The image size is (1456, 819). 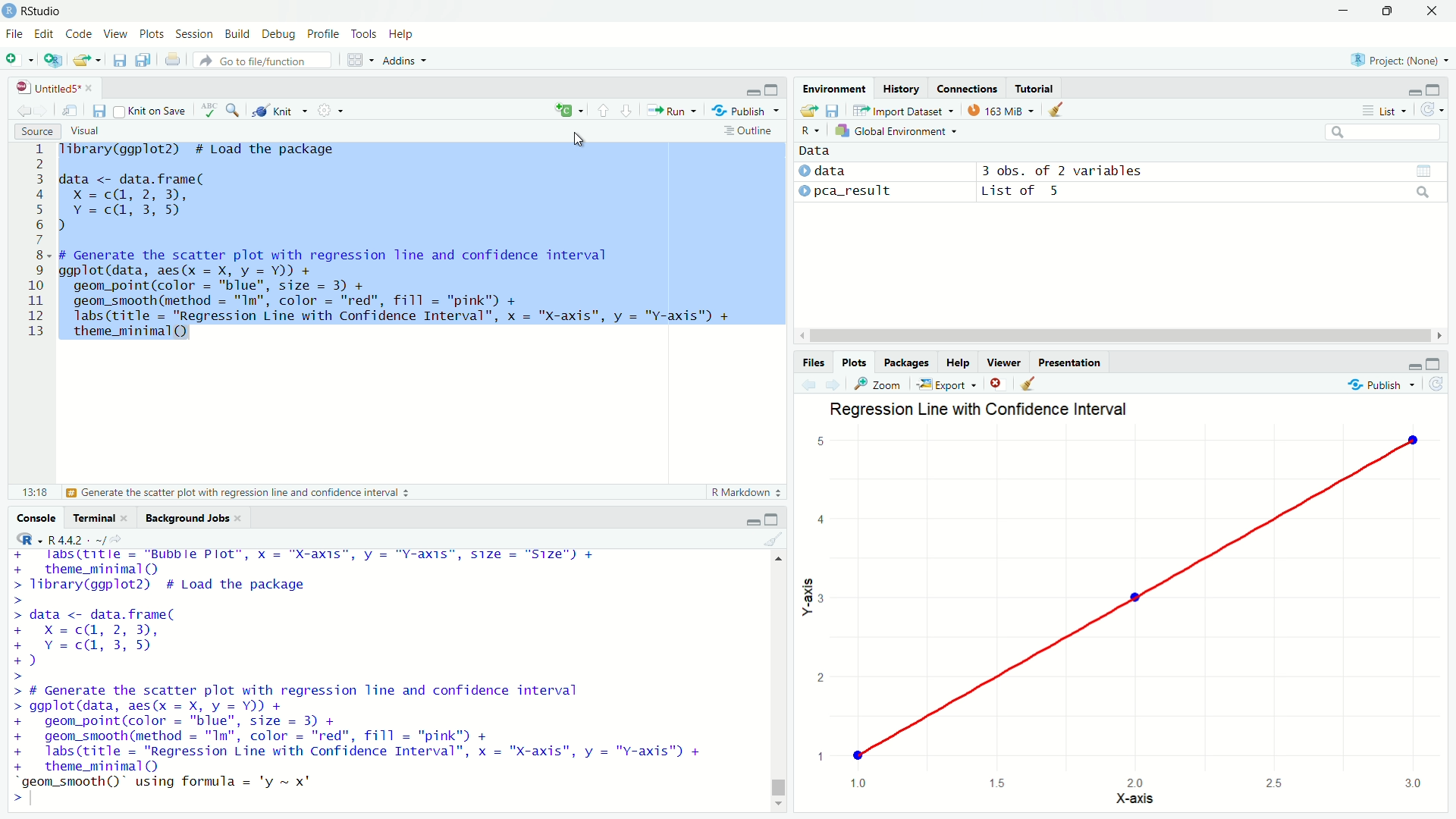 What do you see at coordinates (14, 34) in the screenshot?
I see `File` at bounding box center [14, 34].